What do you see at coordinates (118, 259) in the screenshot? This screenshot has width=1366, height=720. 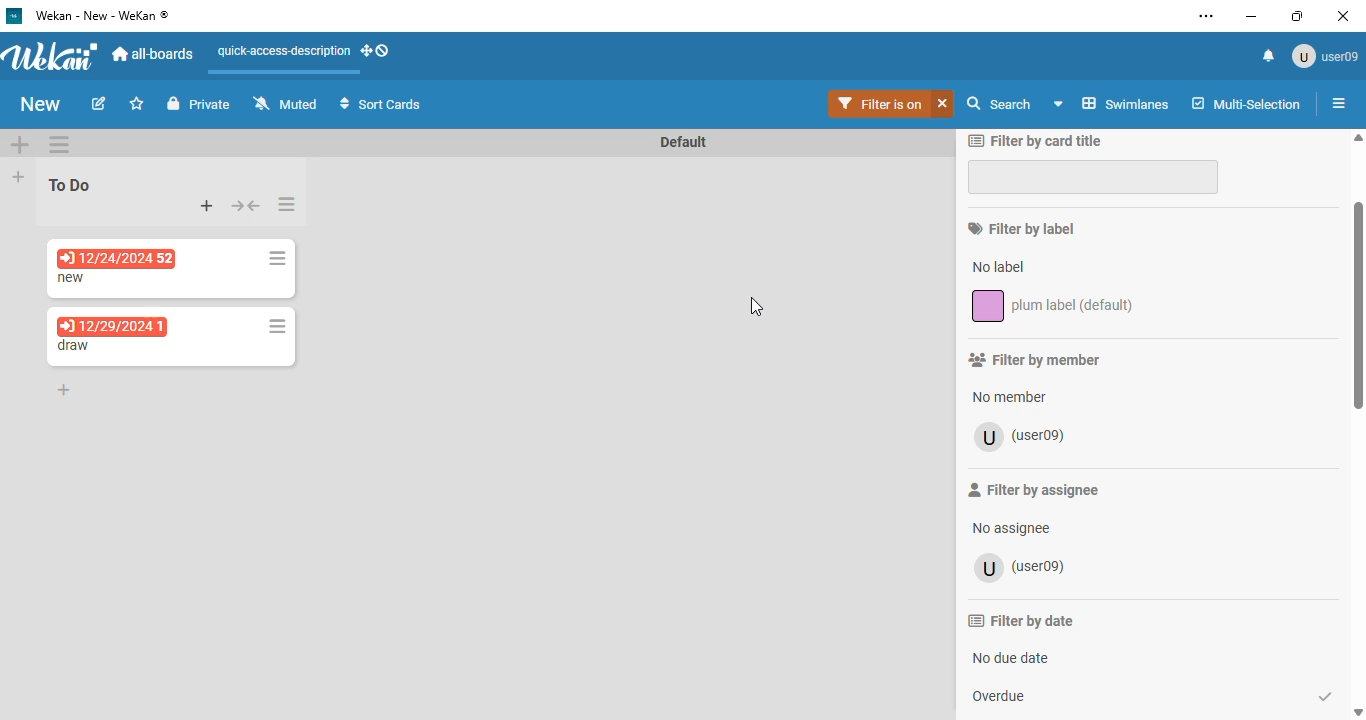 I see `12/24/2024 52` at bounding box center [118, 259].